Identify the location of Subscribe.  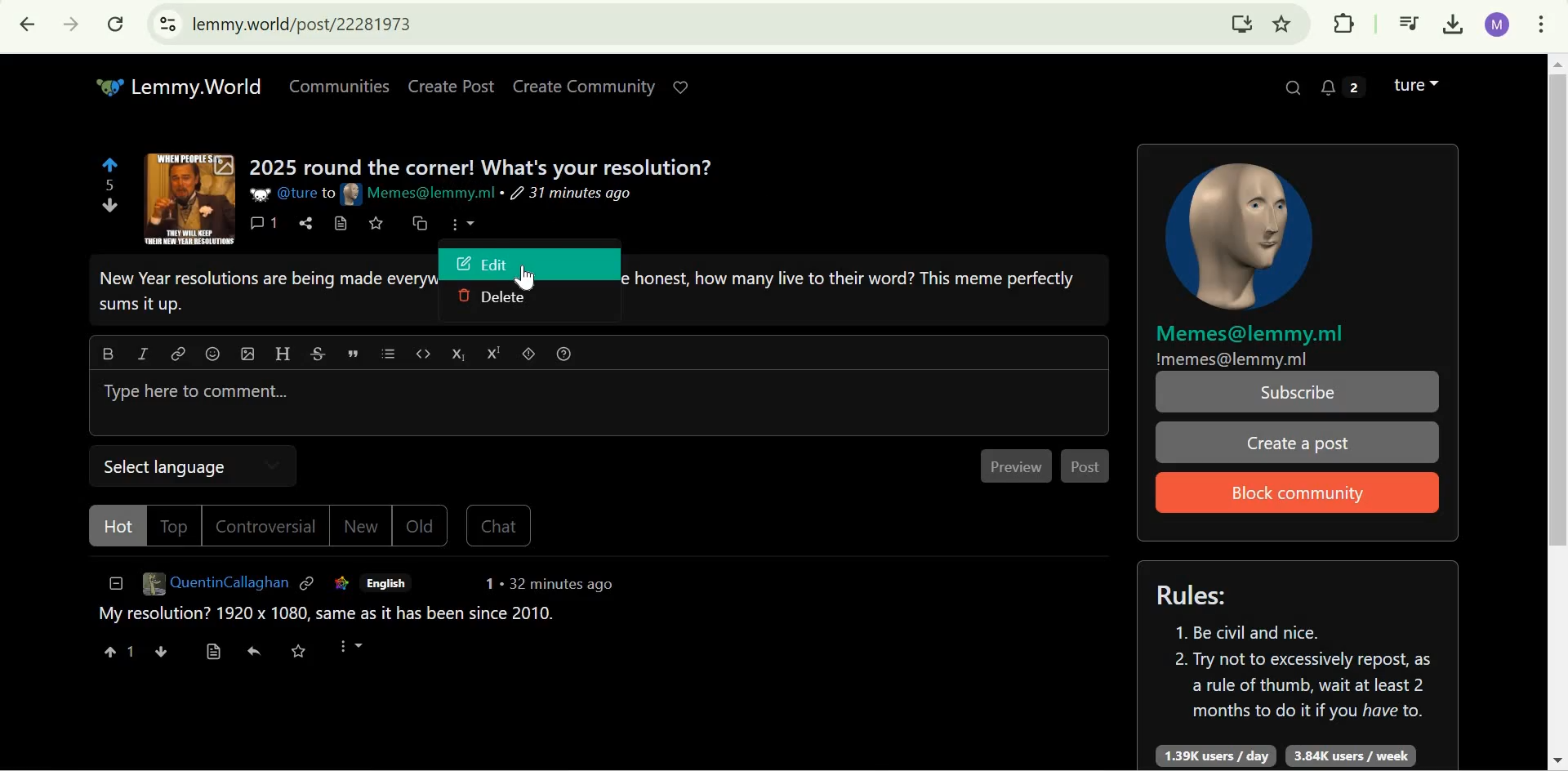
(1299, 392).